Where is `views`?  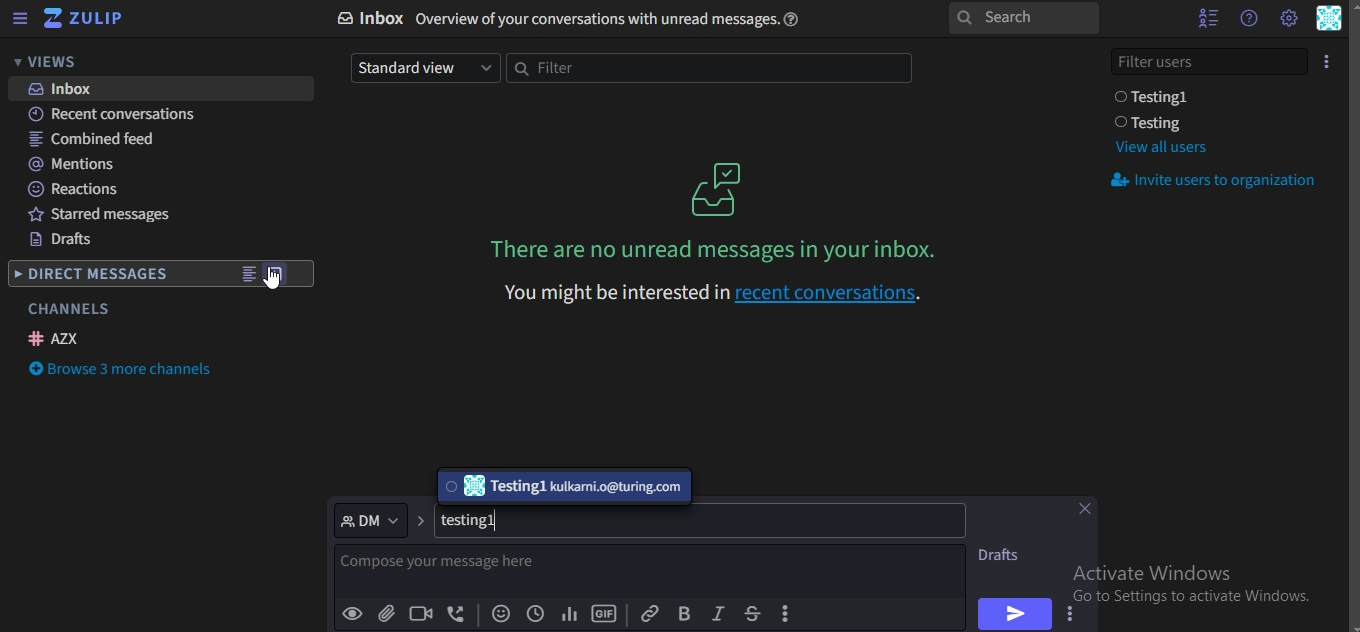
views is located at coordinates (55, 62).